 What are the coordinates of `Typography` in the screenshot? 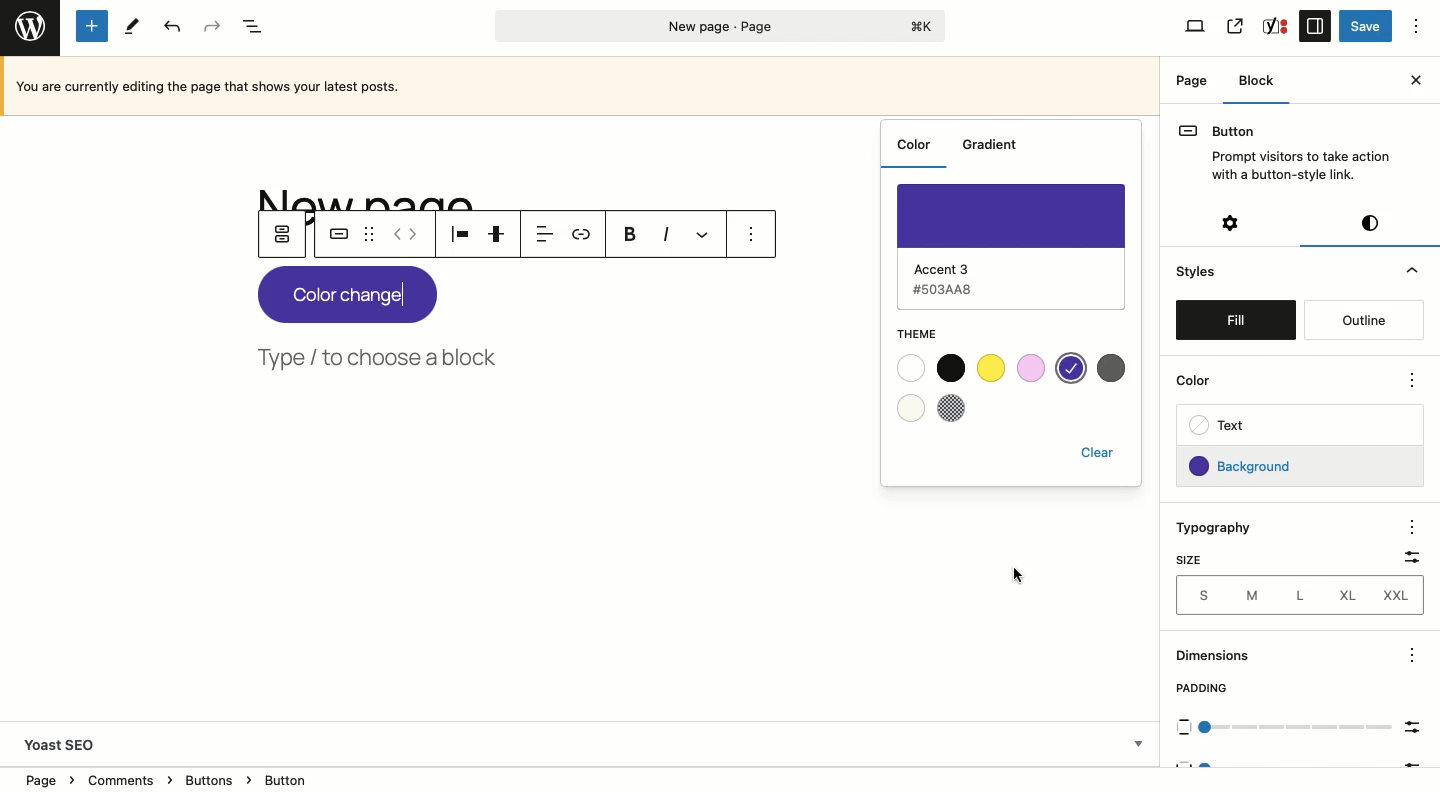 It's located at (1223, 527).